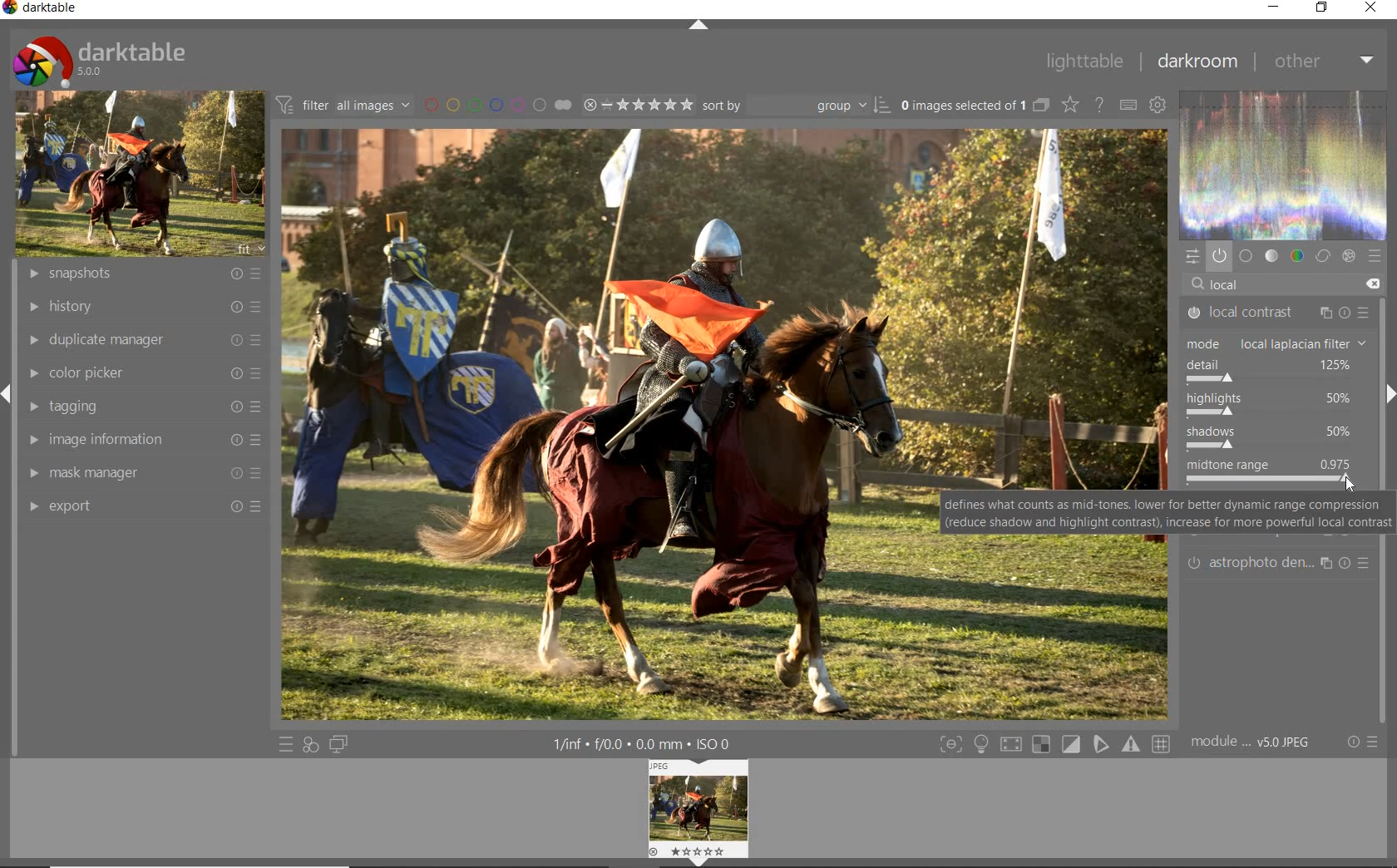 Image resolution: width=1397 pixels, height=868 pixels. I want to click on toggle modes, so click(981, 742).